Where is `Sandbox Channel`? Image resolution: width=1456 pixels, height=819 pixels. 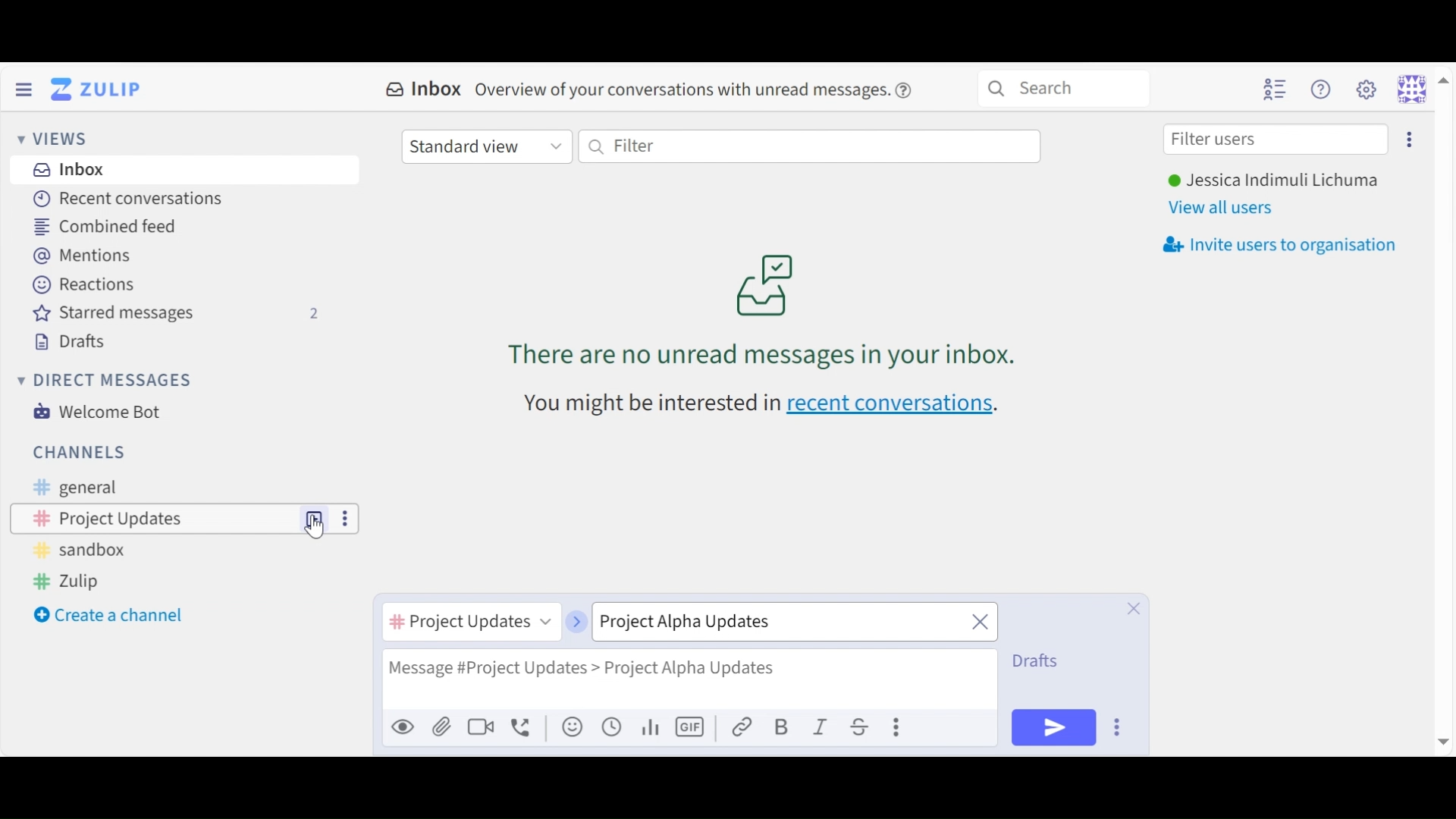
Sandbox Channel is located at coordinates (86, 553).